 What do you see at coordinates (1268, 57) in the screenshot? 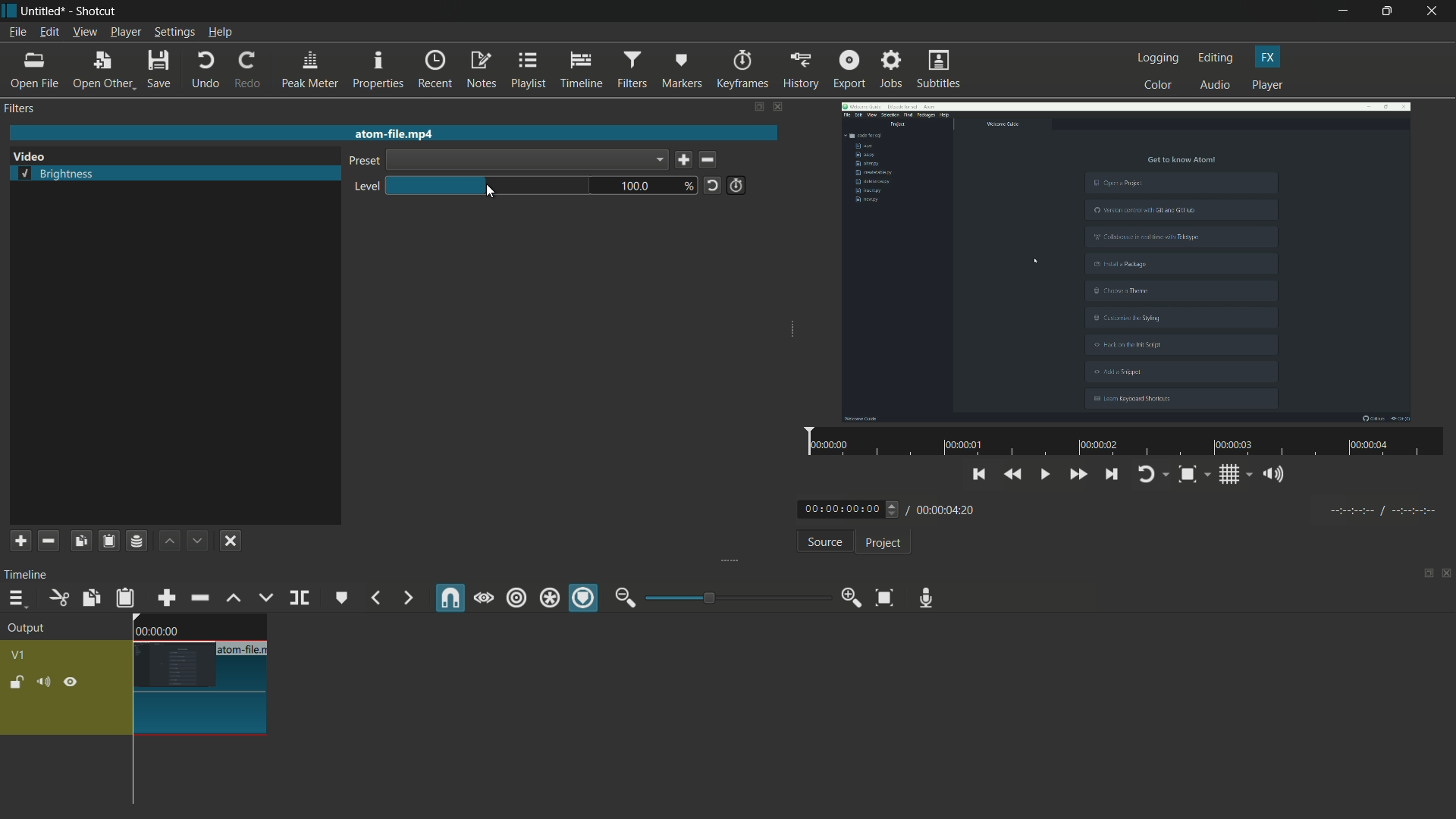
I see `fx` at bounding box center [1268, 57].